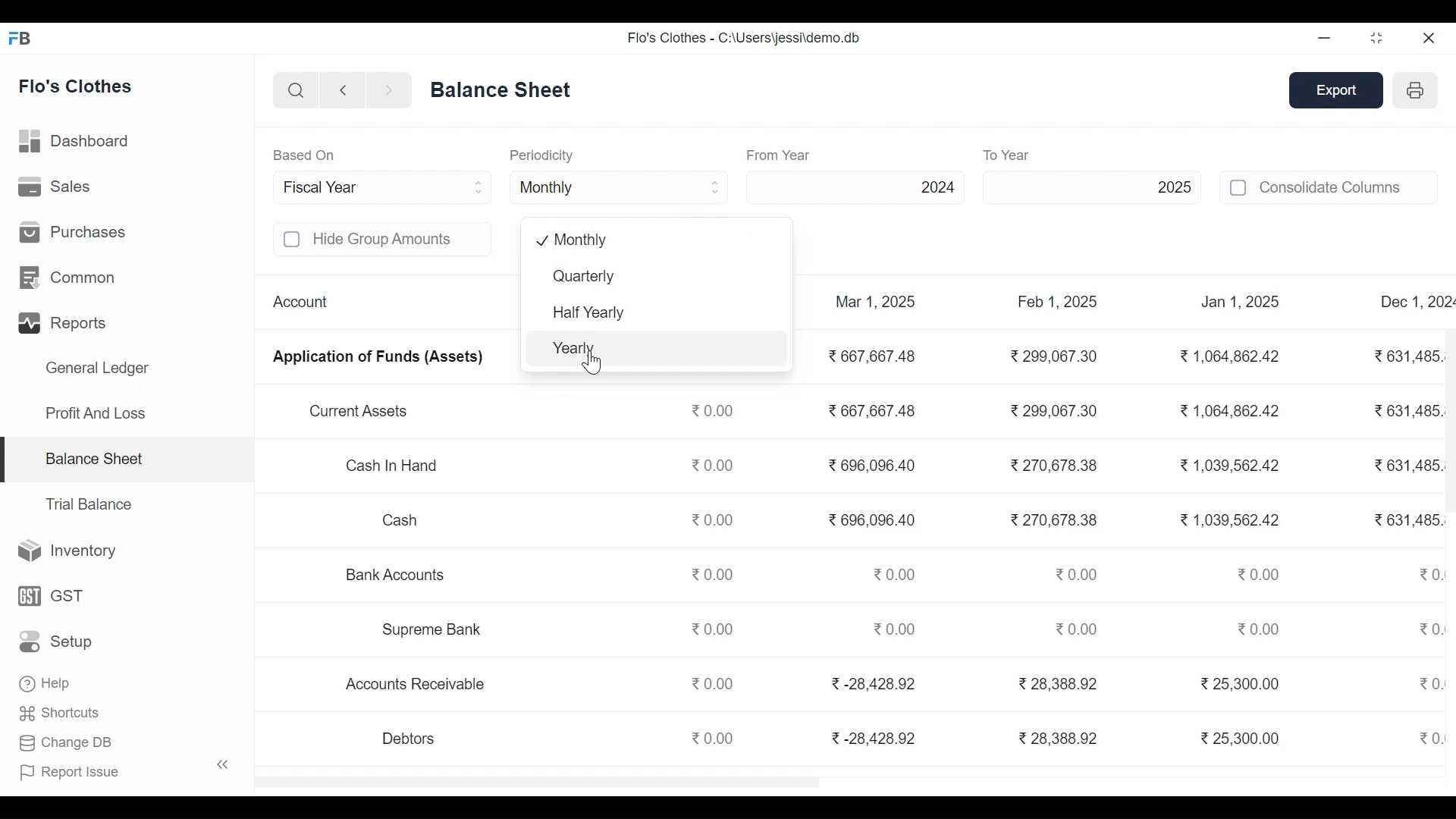  I want to click on scrollbar, so click(1449, 419).